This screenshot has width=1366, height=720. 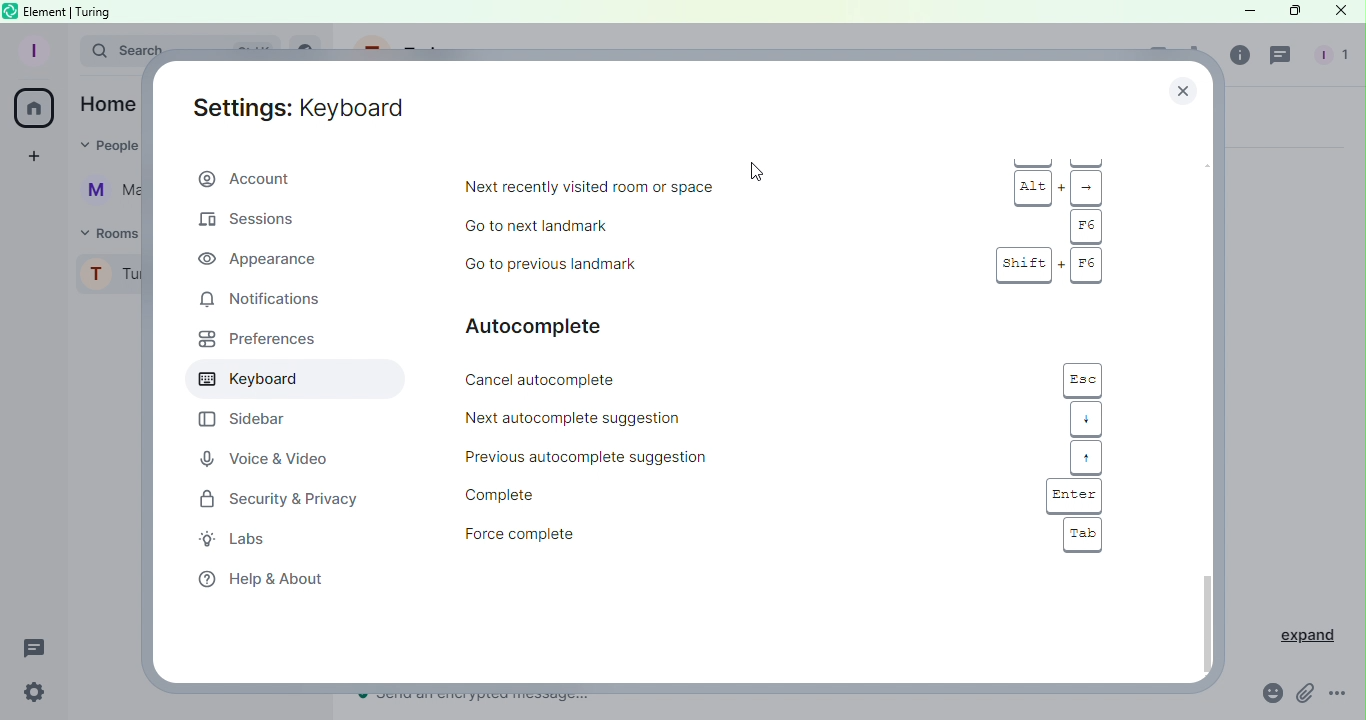 What do you see at coordinates (673, 187) in the screenshot?
I see `Next recently visited room or space` at bounding box center [673, 187].